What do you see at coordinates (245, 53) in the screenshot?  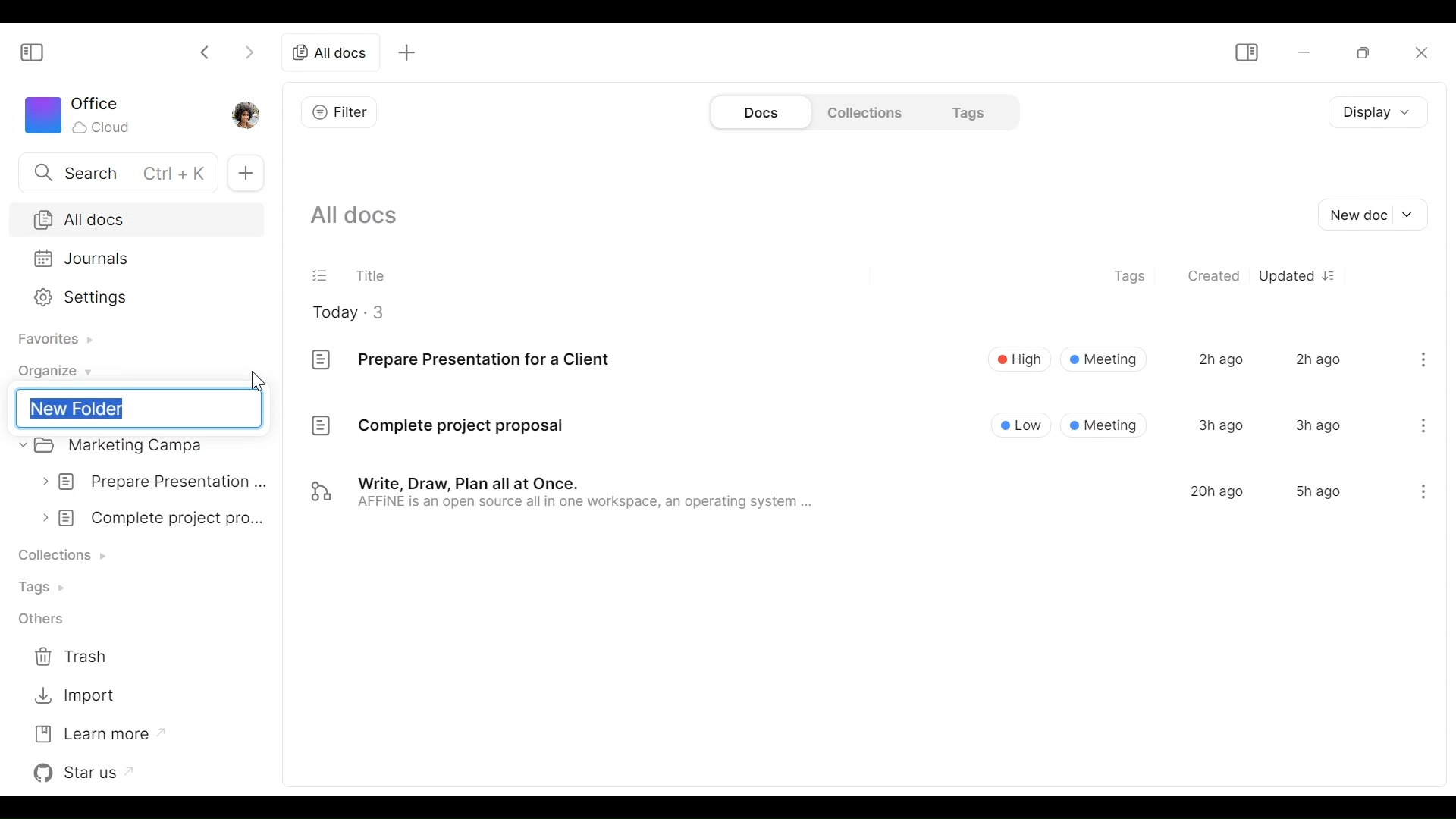 I see `Click to go forward` at bounding box center [245, 53].